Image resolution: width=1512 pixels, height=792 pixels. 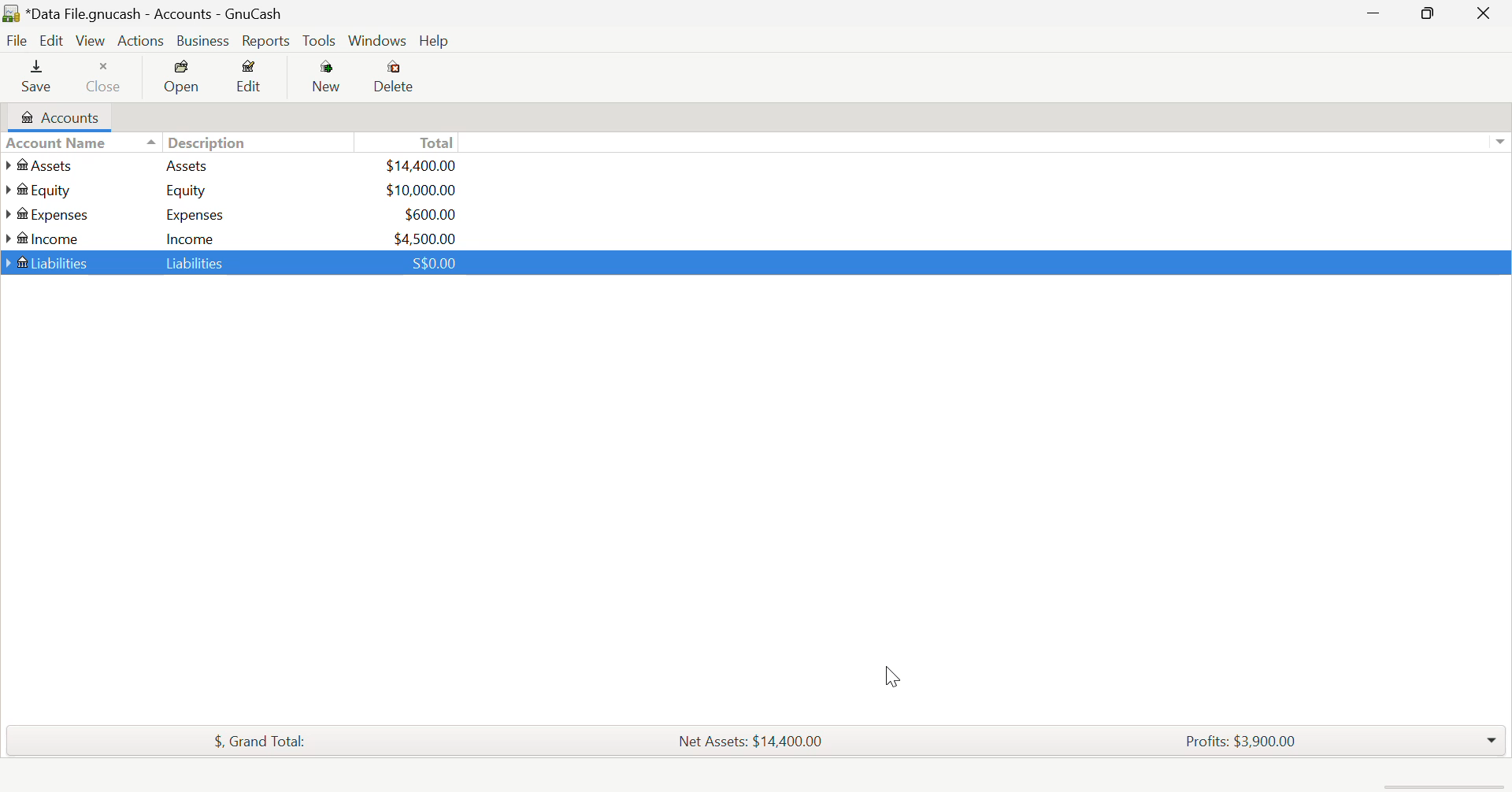 I want to click on Reports, so click(x=269, y=41).